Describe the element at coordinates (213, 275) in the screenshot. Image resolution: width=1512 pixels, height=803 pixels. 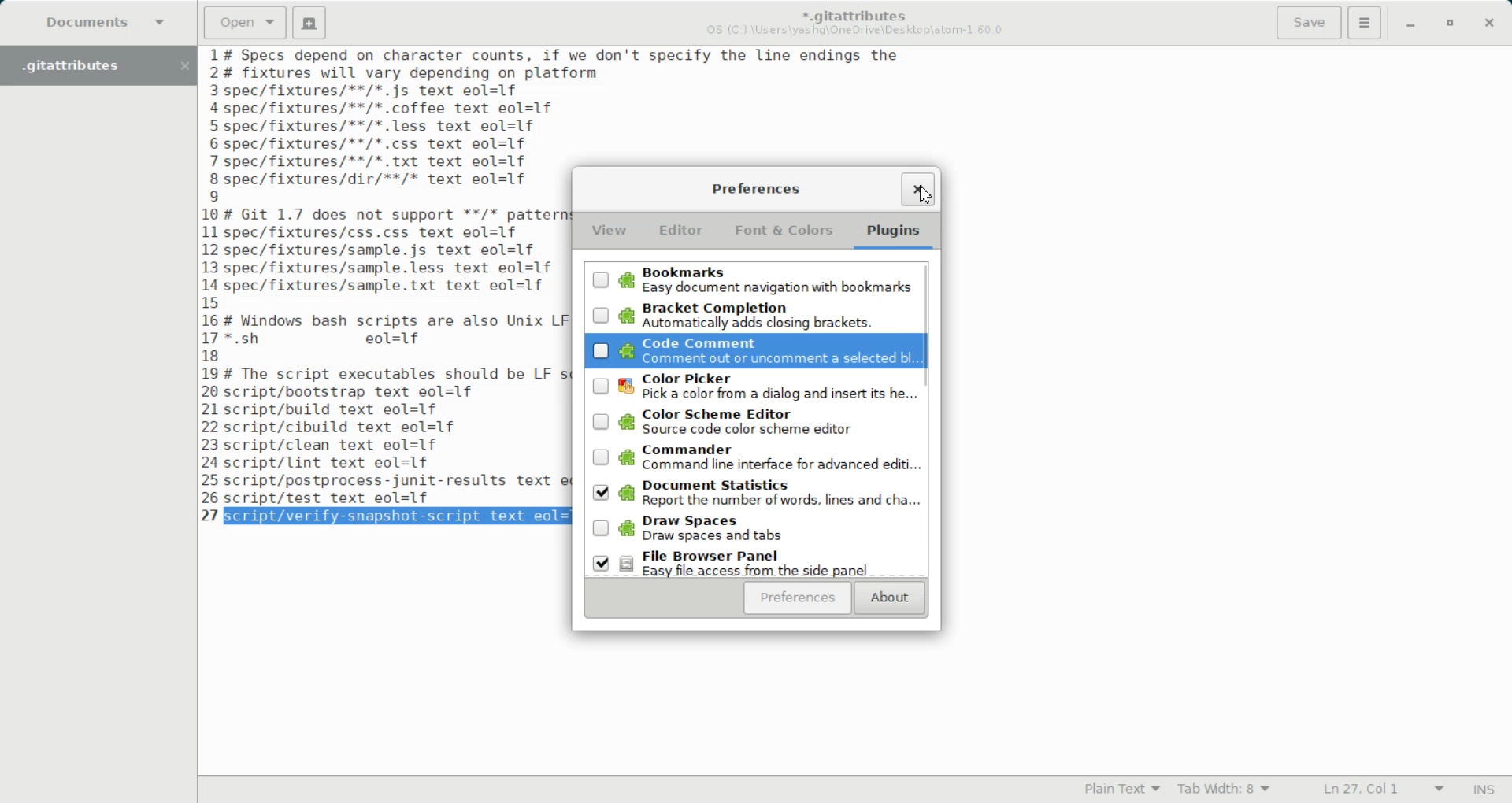
I see `text line number` at that location.